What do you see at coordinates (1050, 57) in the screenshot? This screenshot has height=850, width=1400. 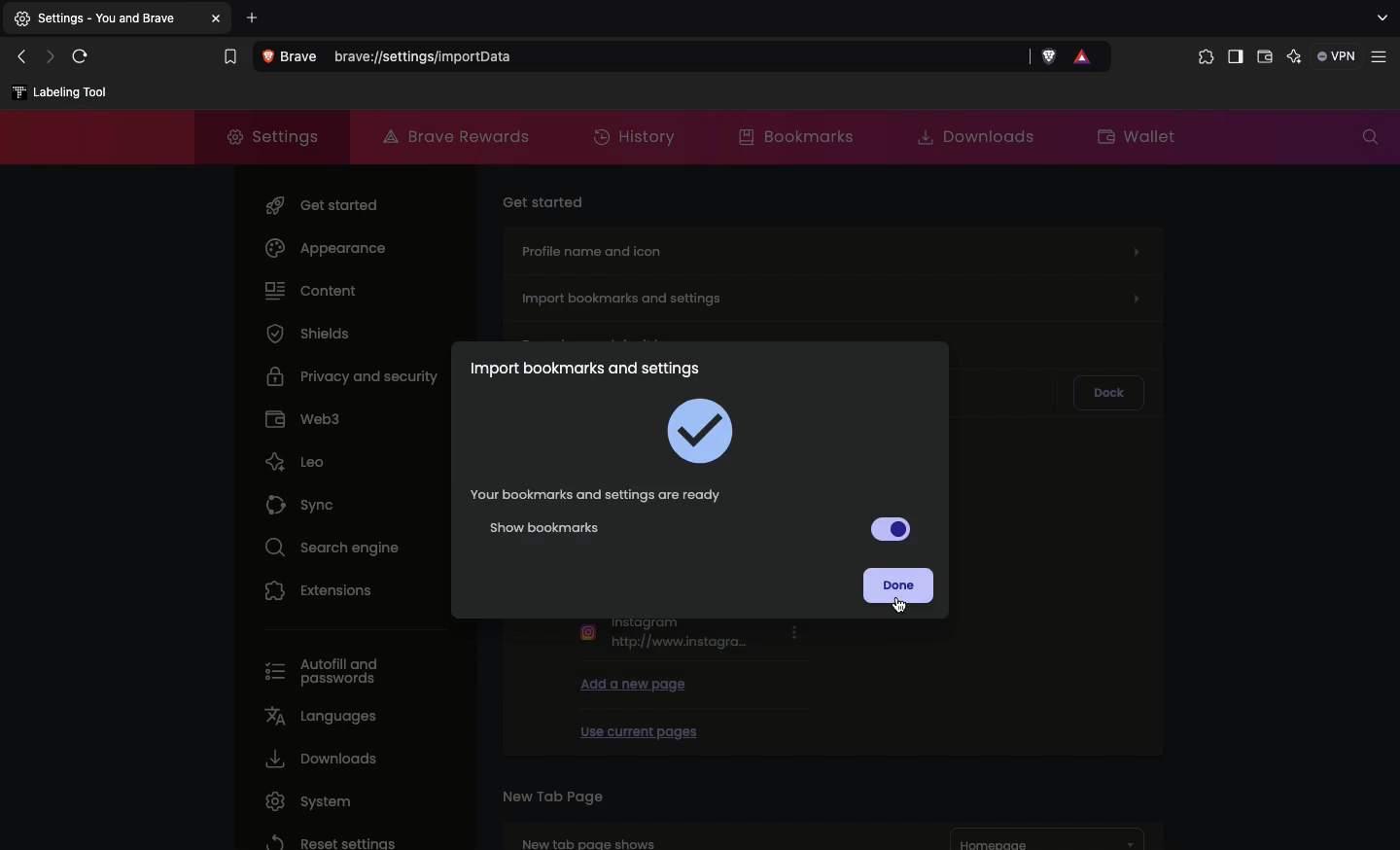 I see `Brave shields` at bounding box center [1050, 57].